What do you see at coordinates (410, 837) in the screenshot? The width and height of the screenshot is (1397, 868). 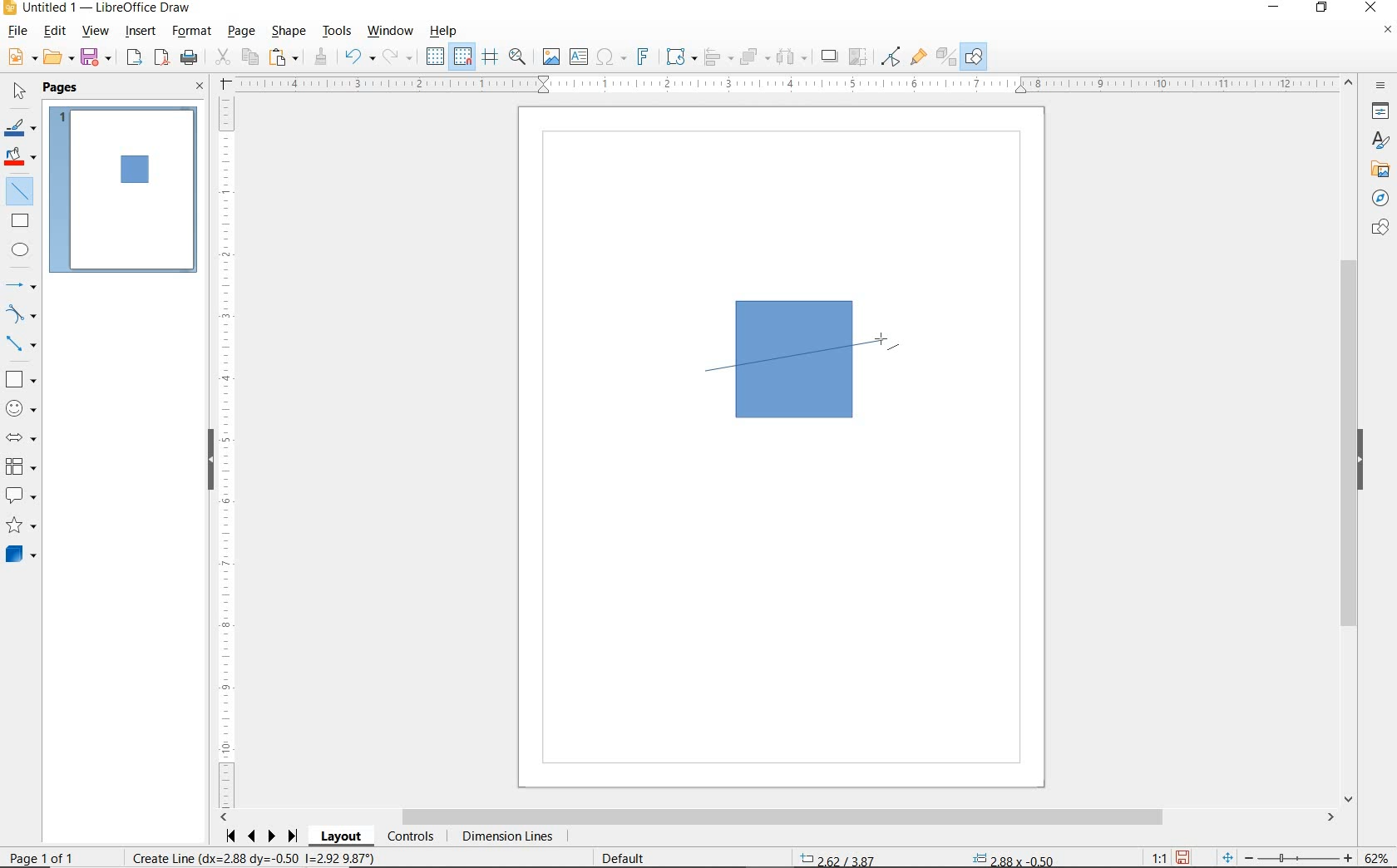 I see `CONTROLS` at bounding box center [410, 837].